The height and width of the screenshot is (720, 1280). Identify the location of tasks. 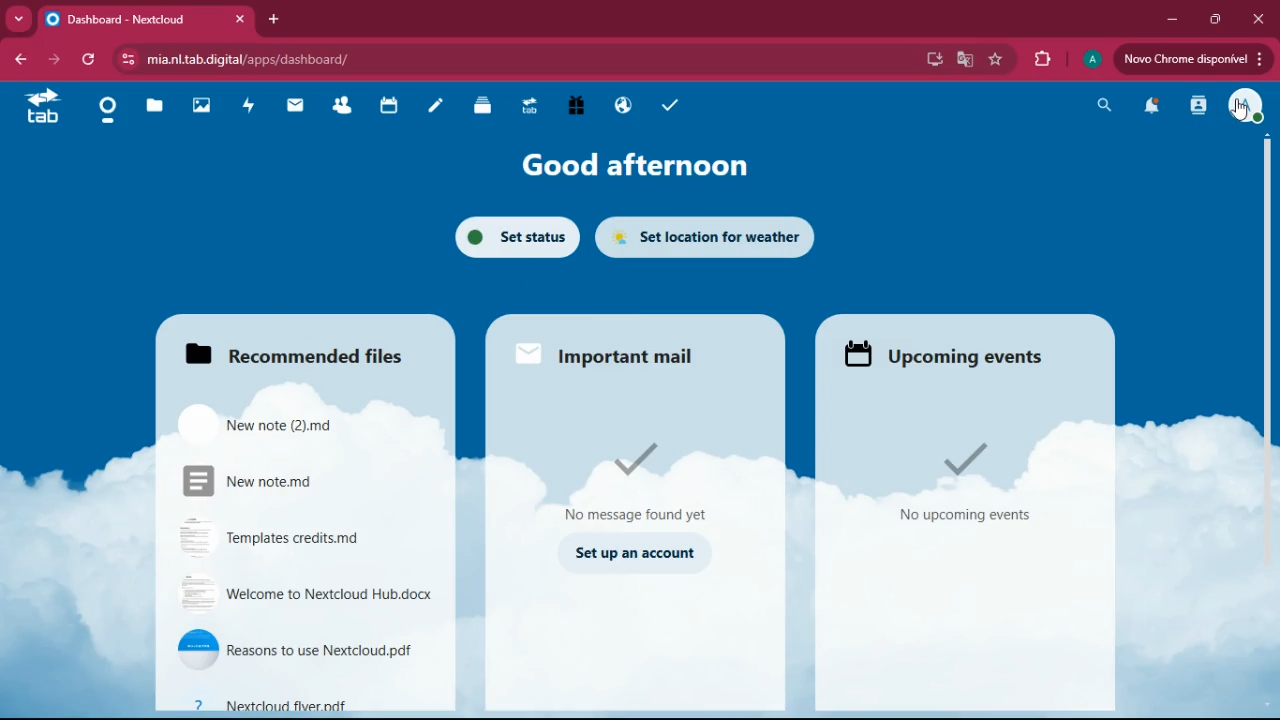
(666, 106).